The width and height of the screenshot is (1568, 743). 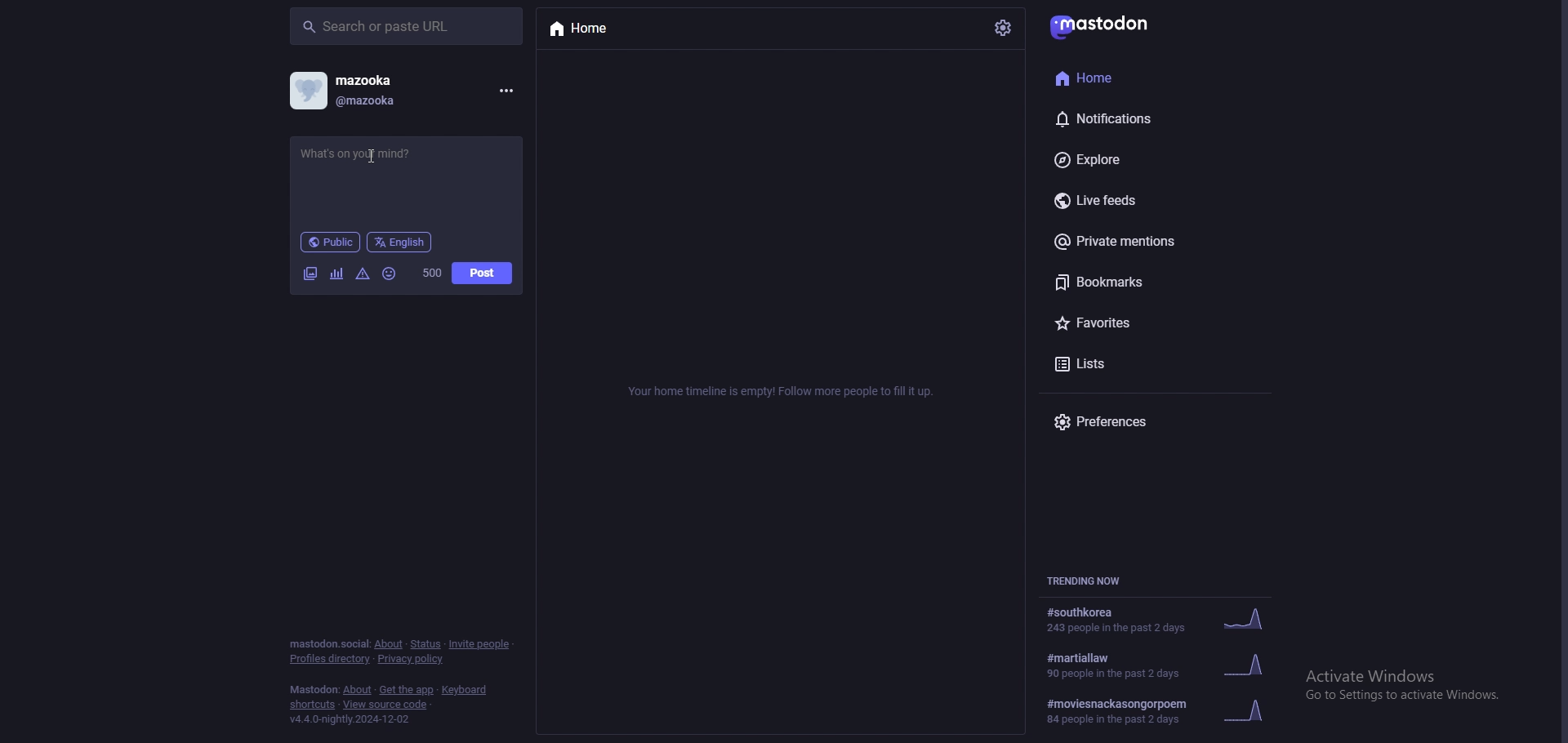 What do you see at coordinates (1127, 282) in the screenshot?
I see `bookmarks` at bounding box center [1127, 282].